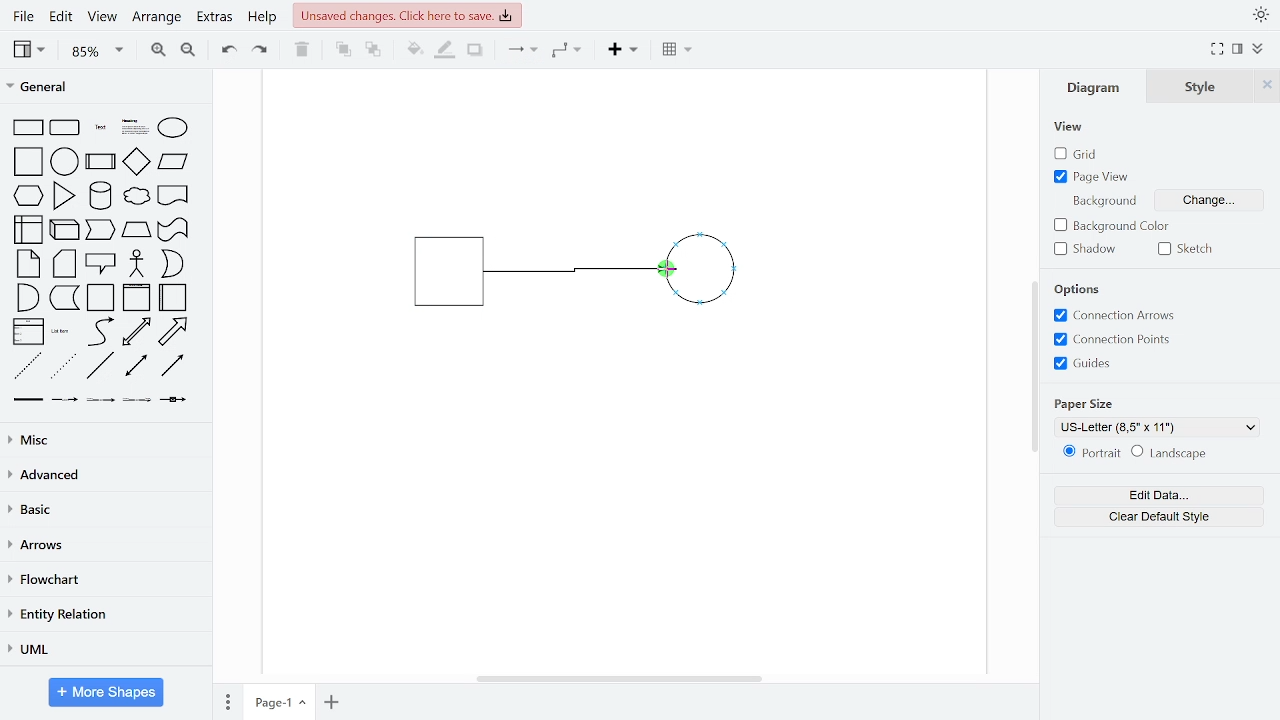  I want to click on misc, so click(102, 439).